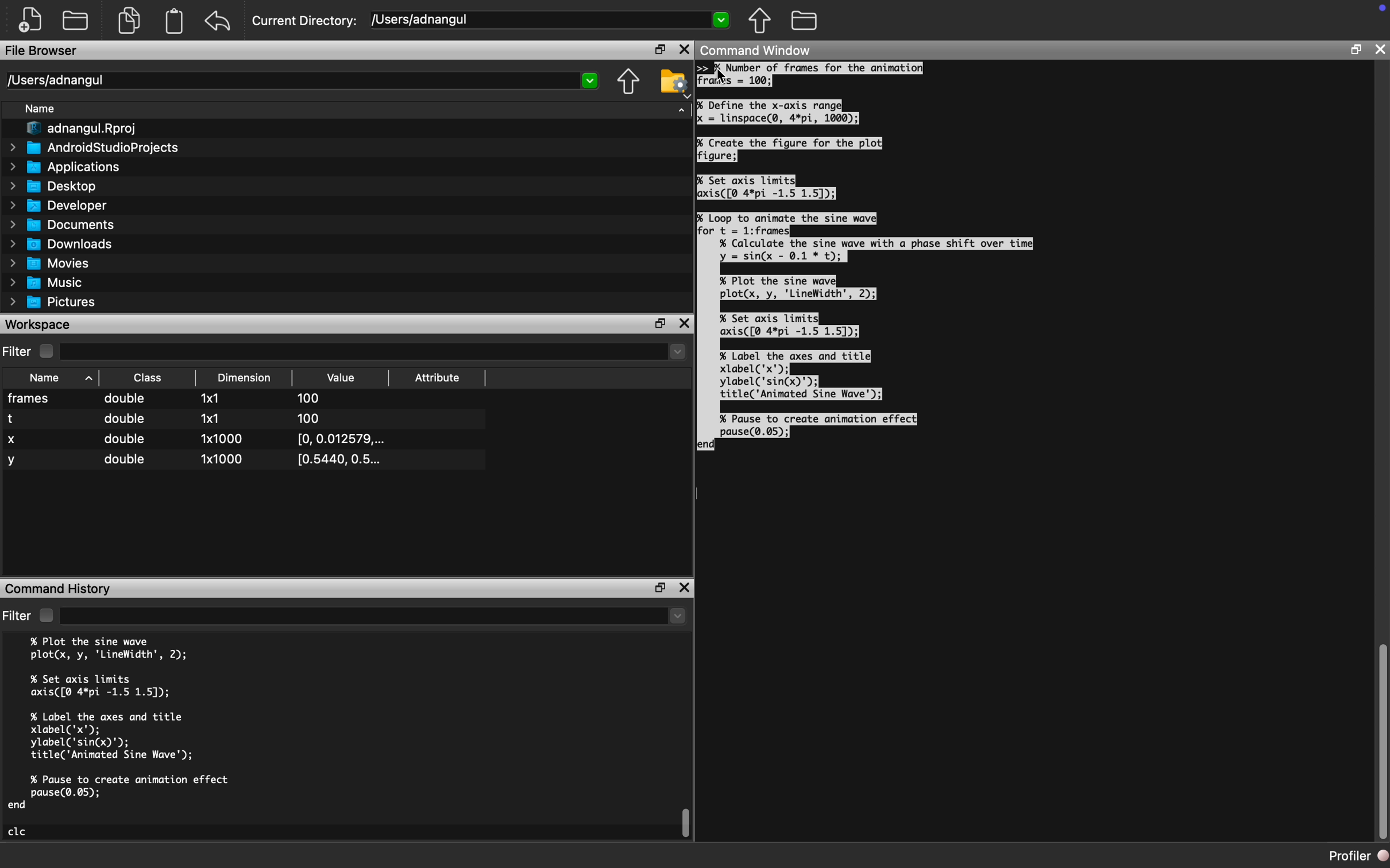 The width and height of the screenshot is (1390, 868). What do you see at coordinates (61, 225) in the screenshot?
I see `Documents` at bounding box center [61, 225].